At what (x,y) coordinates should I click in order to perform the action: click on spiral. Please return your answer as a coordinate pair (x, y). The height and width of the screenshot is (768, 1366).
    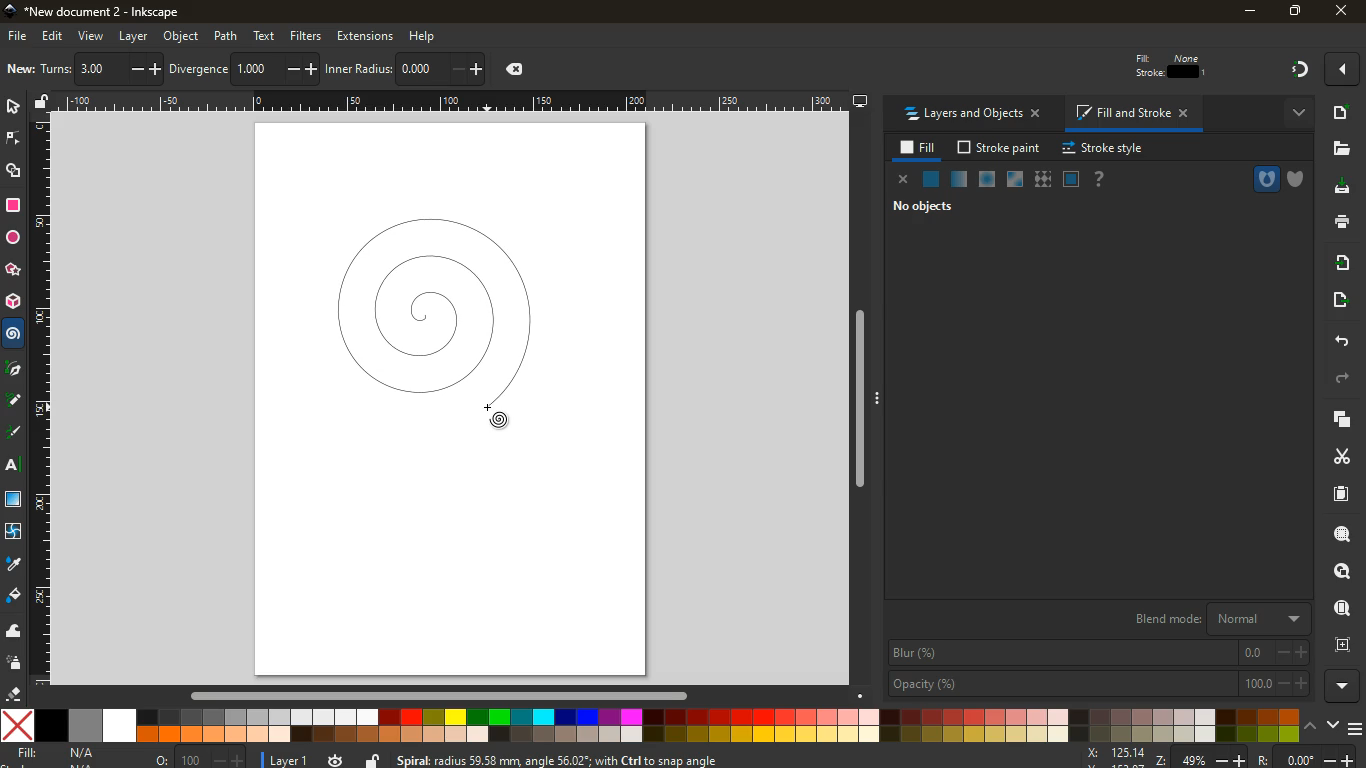
    Looking at the image, I should click on (13, 334).